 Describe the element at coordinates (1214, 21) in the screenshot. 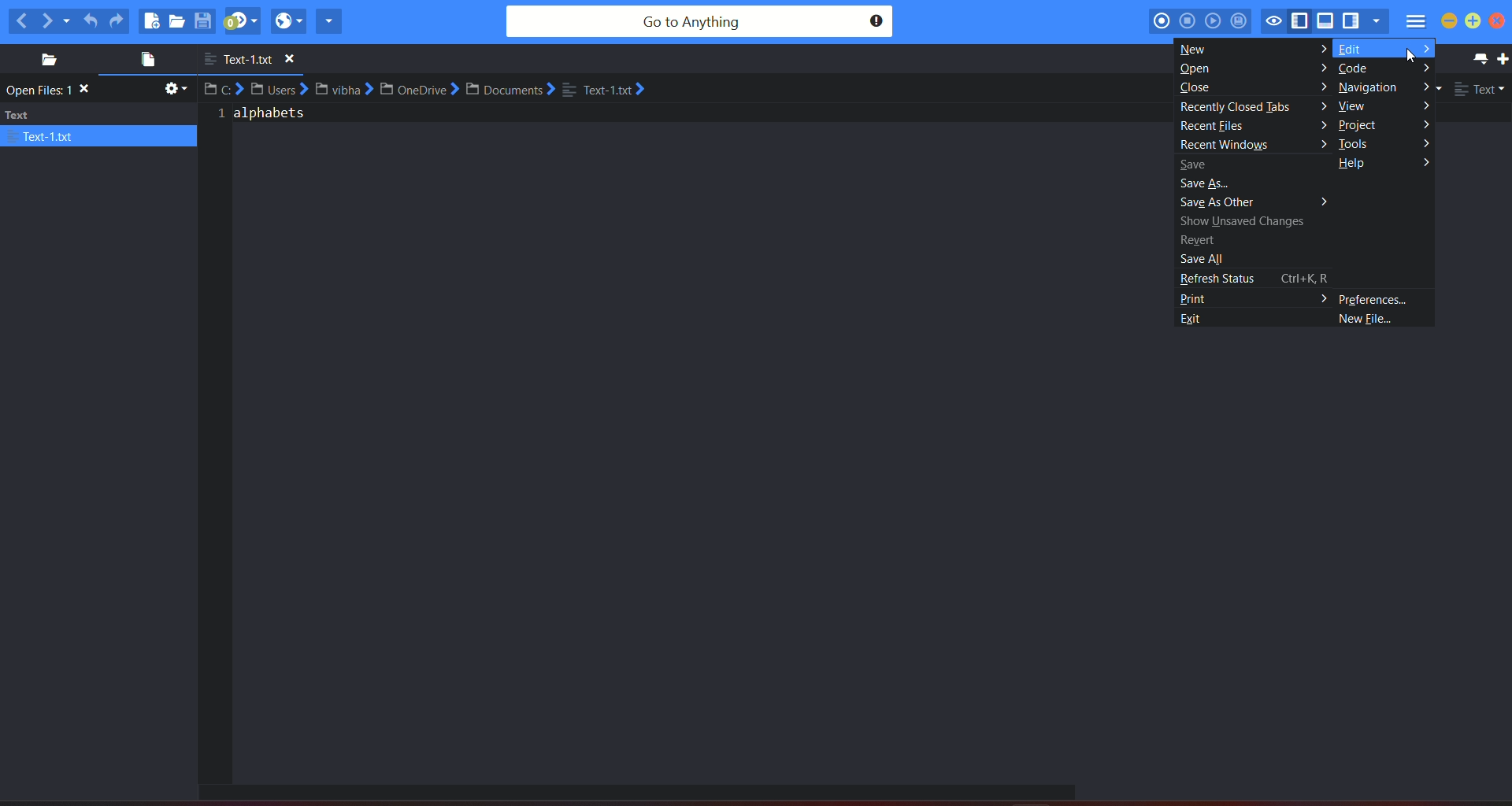

I see `play last macro` at that location.